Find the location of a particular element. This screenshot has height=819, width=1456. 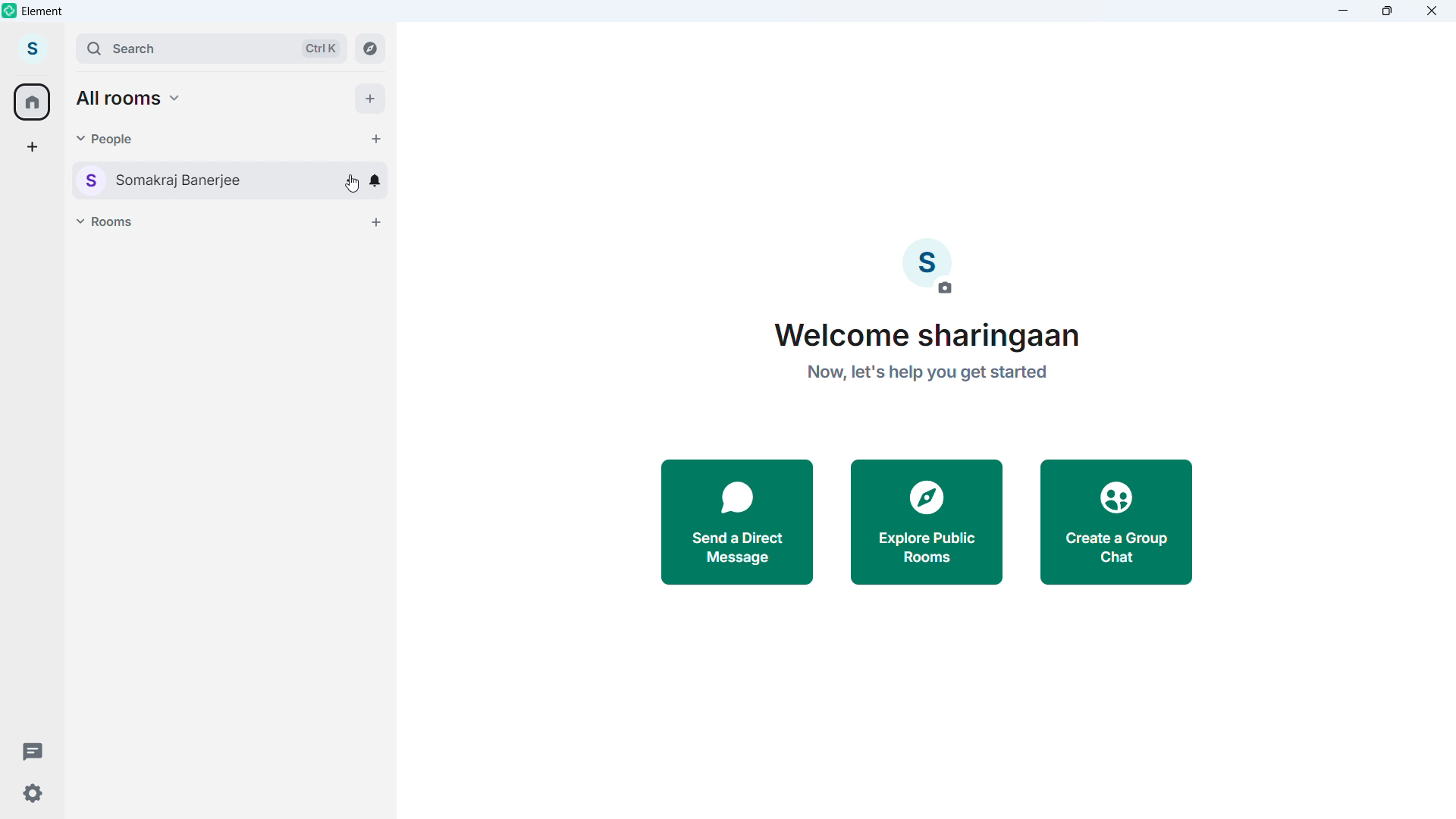

element is located at coordinates (42, 11).